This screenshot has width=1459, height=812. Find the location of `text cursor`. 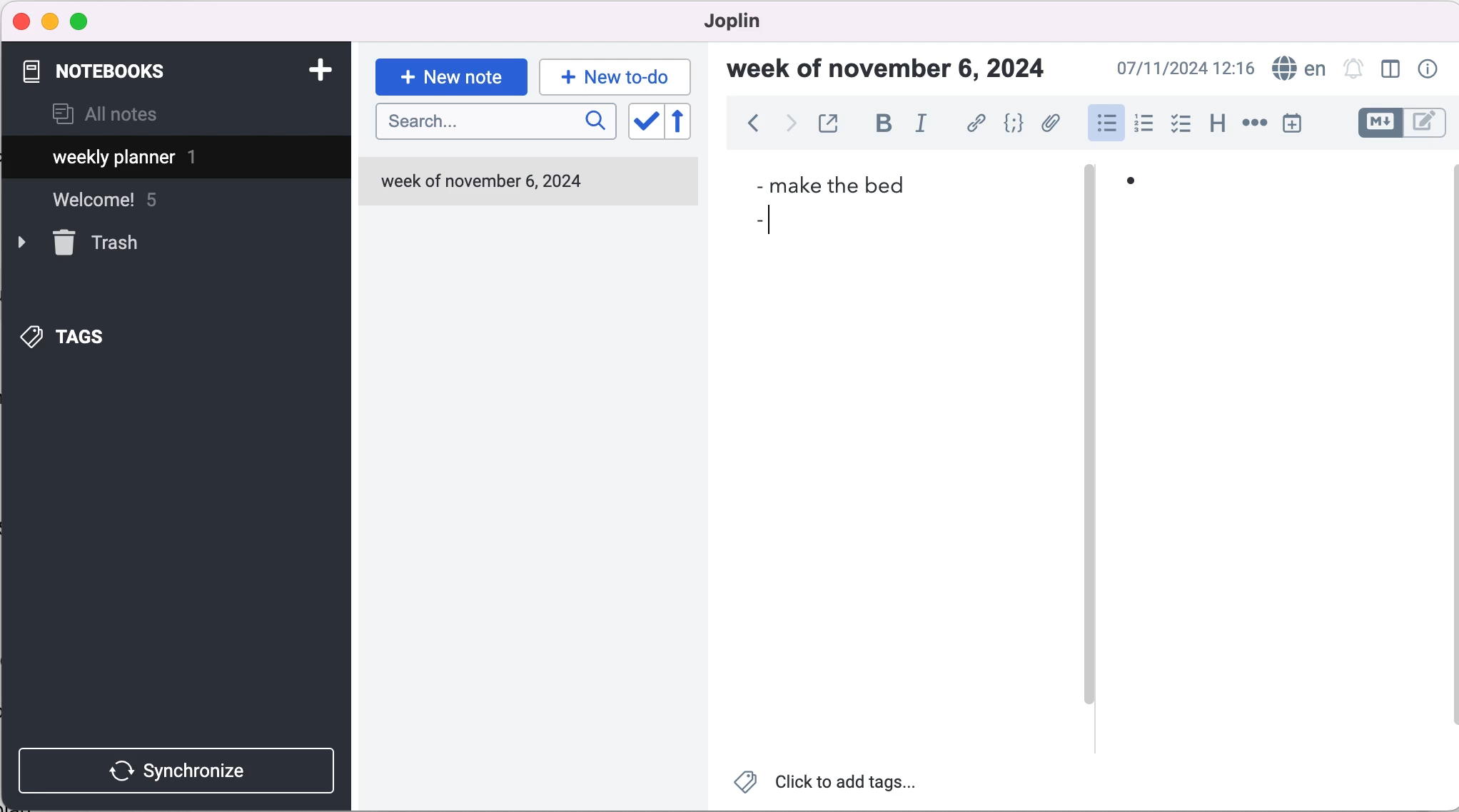

text cursor is located at coordinates (775, 222).